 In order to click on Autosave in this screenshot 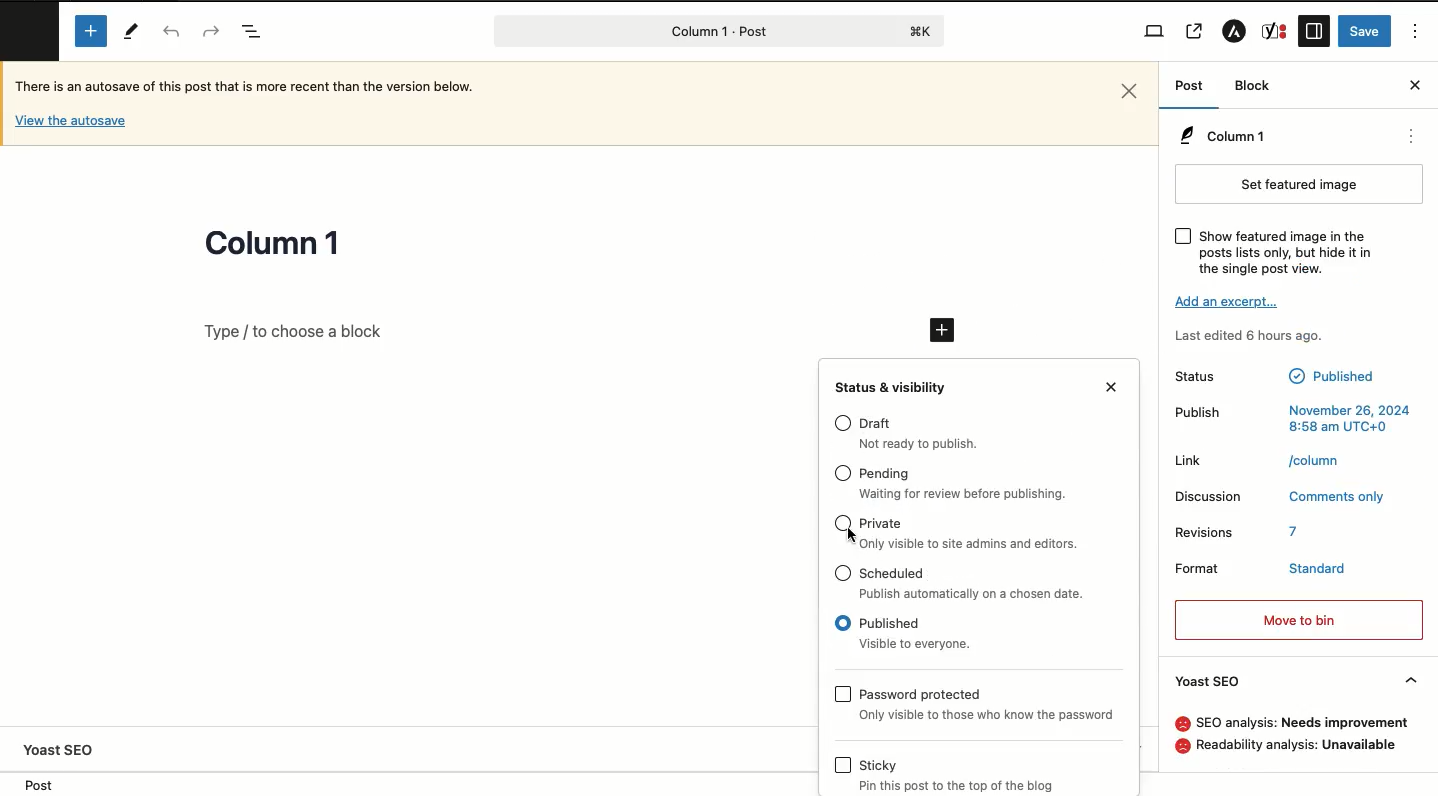, I will do `click(260, 90)`.